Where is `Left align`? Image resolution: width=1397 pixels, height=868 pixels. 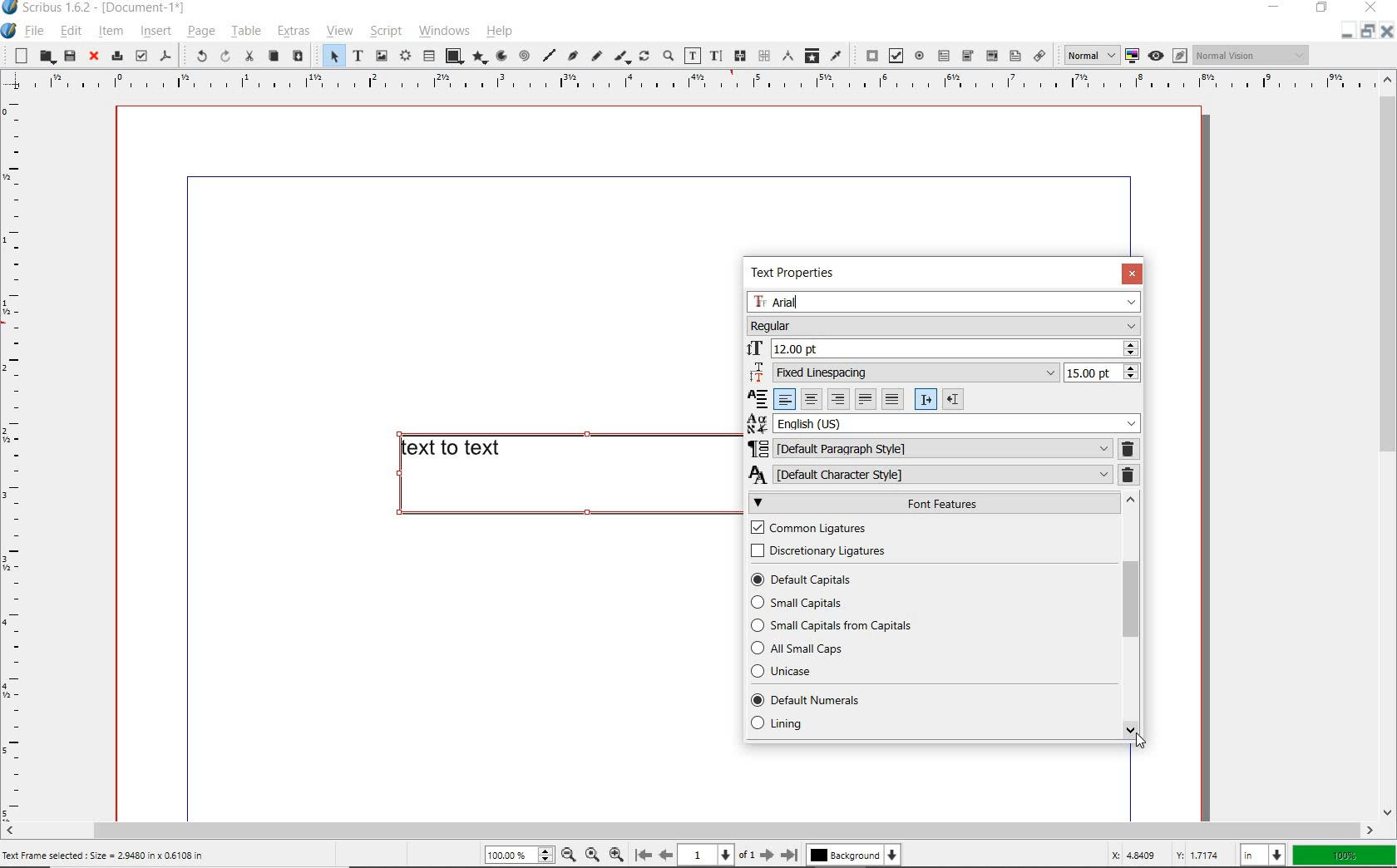 Left align is located at coordinates (786, 399).